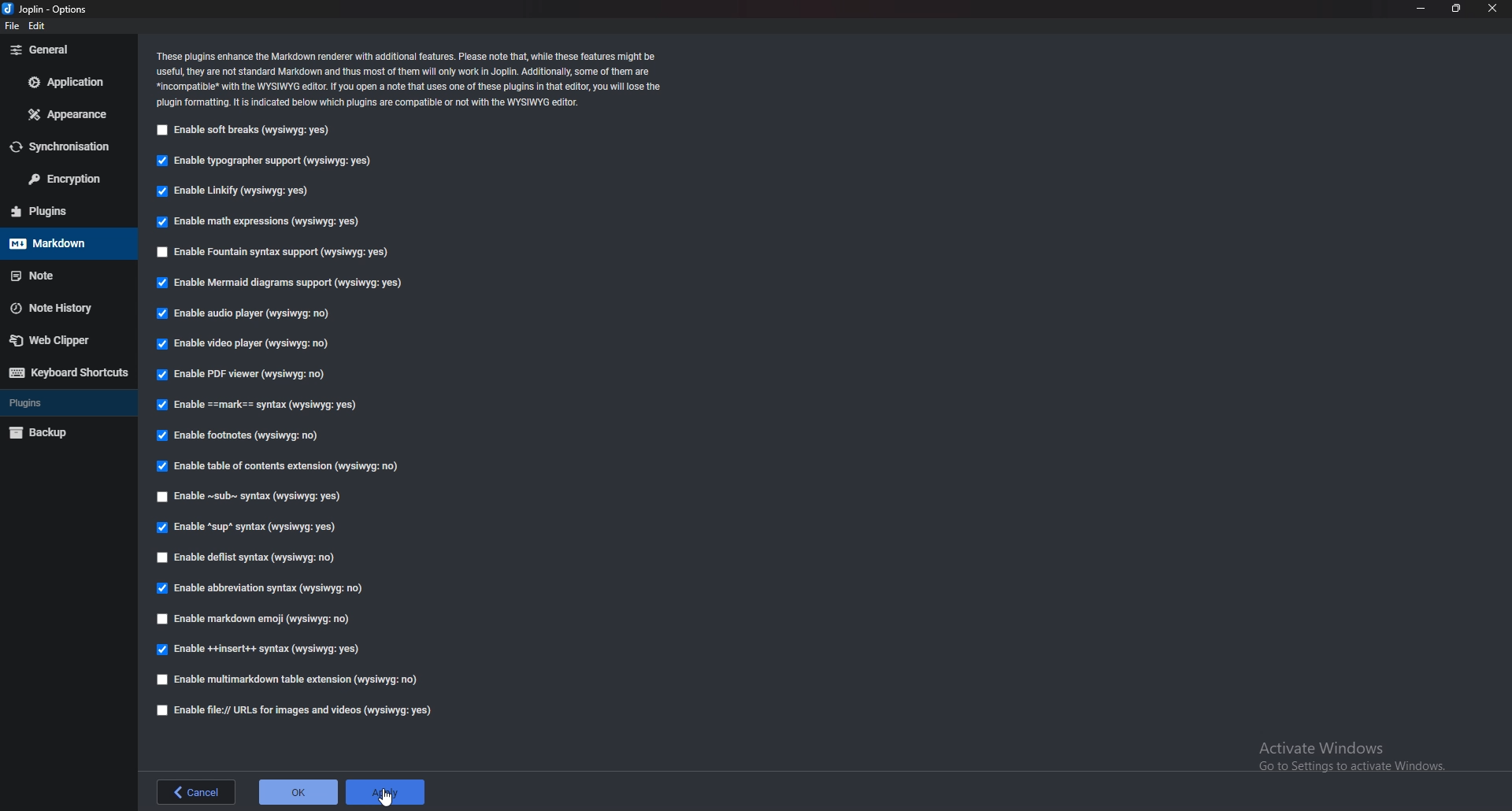 The height and width of the screenshot is (811, 1512). Describe the element at coordinates (389, 798) in the screenshot. I see `cursor` at that location.